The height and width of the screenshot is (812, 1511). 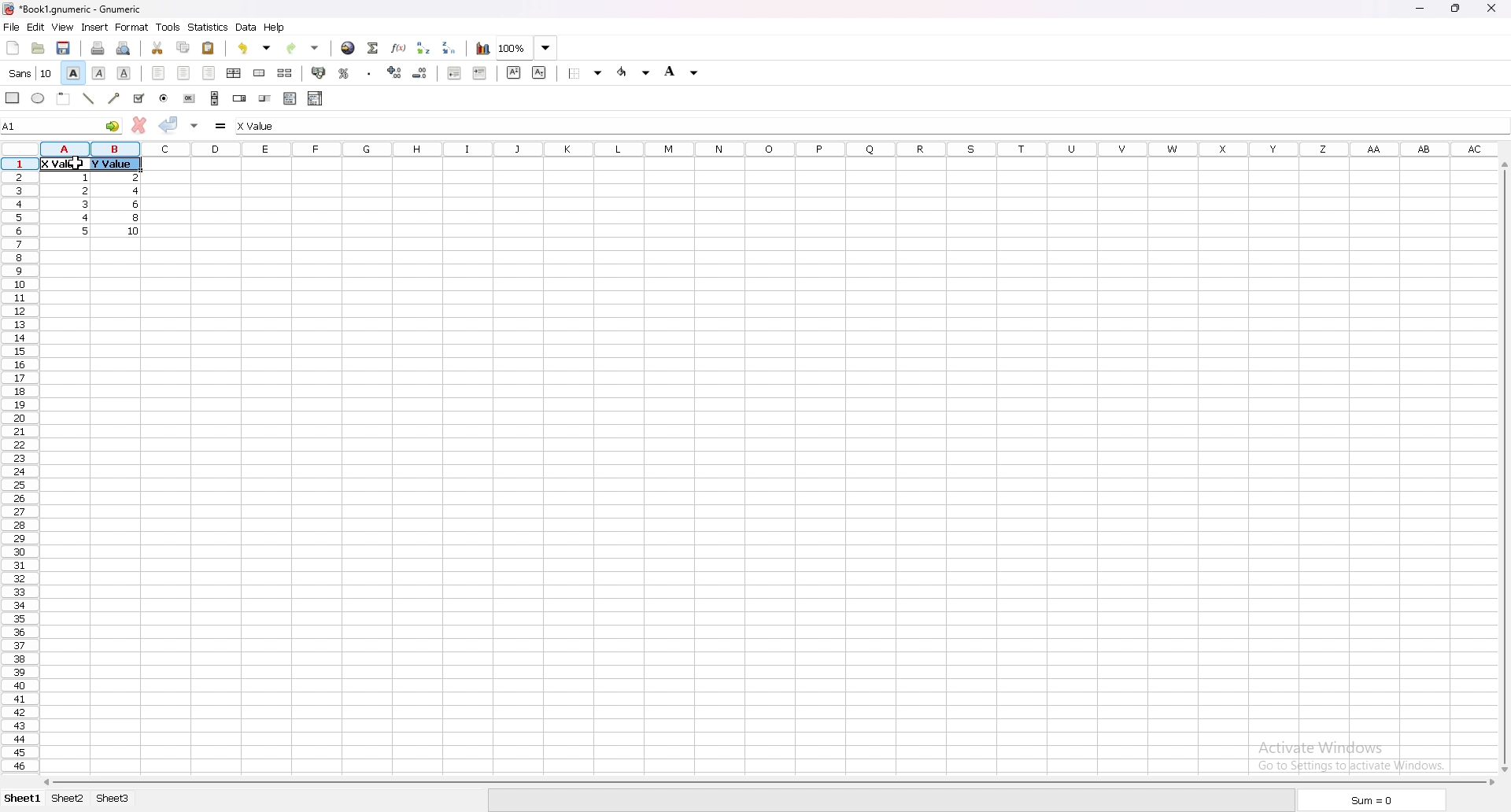 What do you see at coordinates (138, 98) in the screenshot?
I see `tickbox` at bounding box center [138, 98].